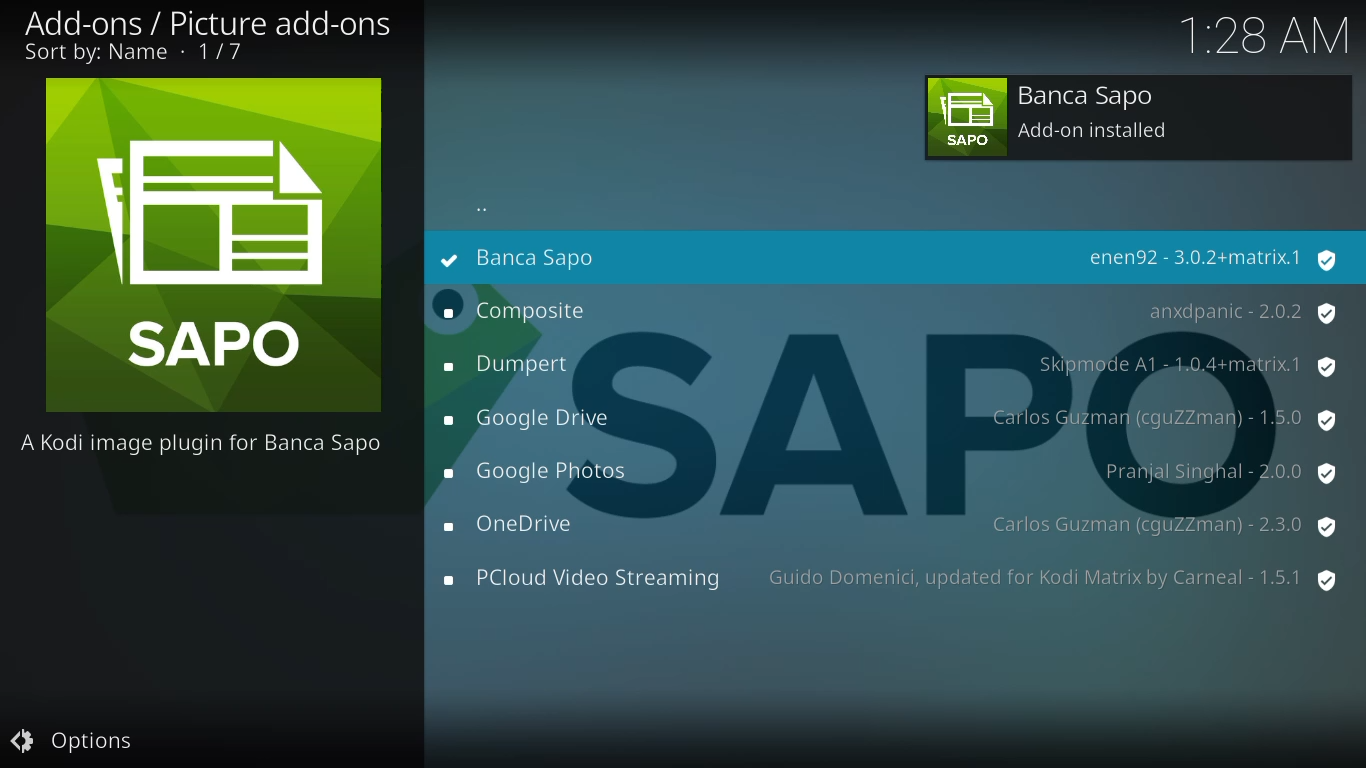 This screenshot has height=768, width=1366. I want to click on one drive, so click(517, 525).